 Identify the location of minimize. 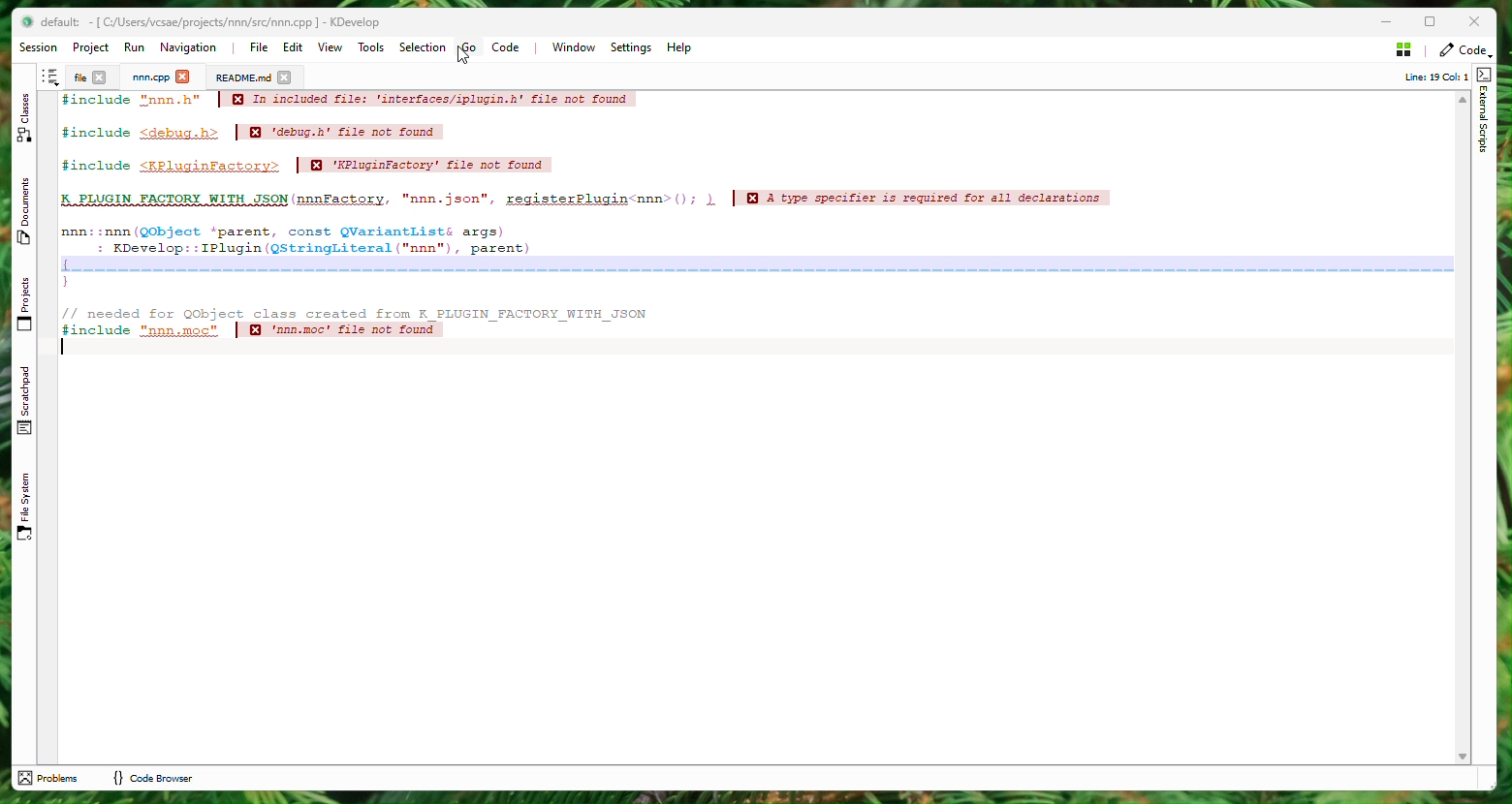
(1375, 22).